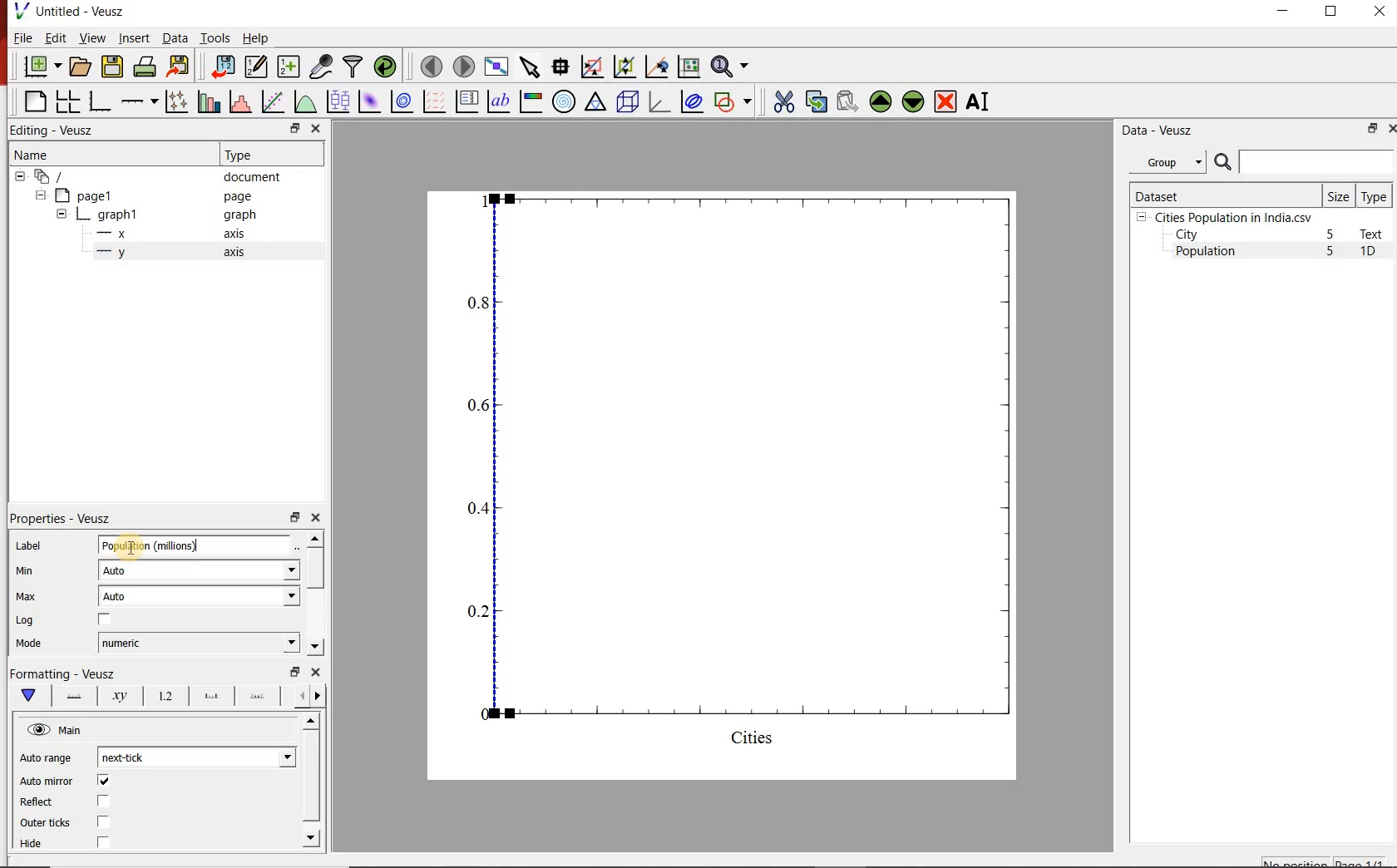  Describe the element at coordinates (175, 39) in the screenshot. I see `Data` at that location.